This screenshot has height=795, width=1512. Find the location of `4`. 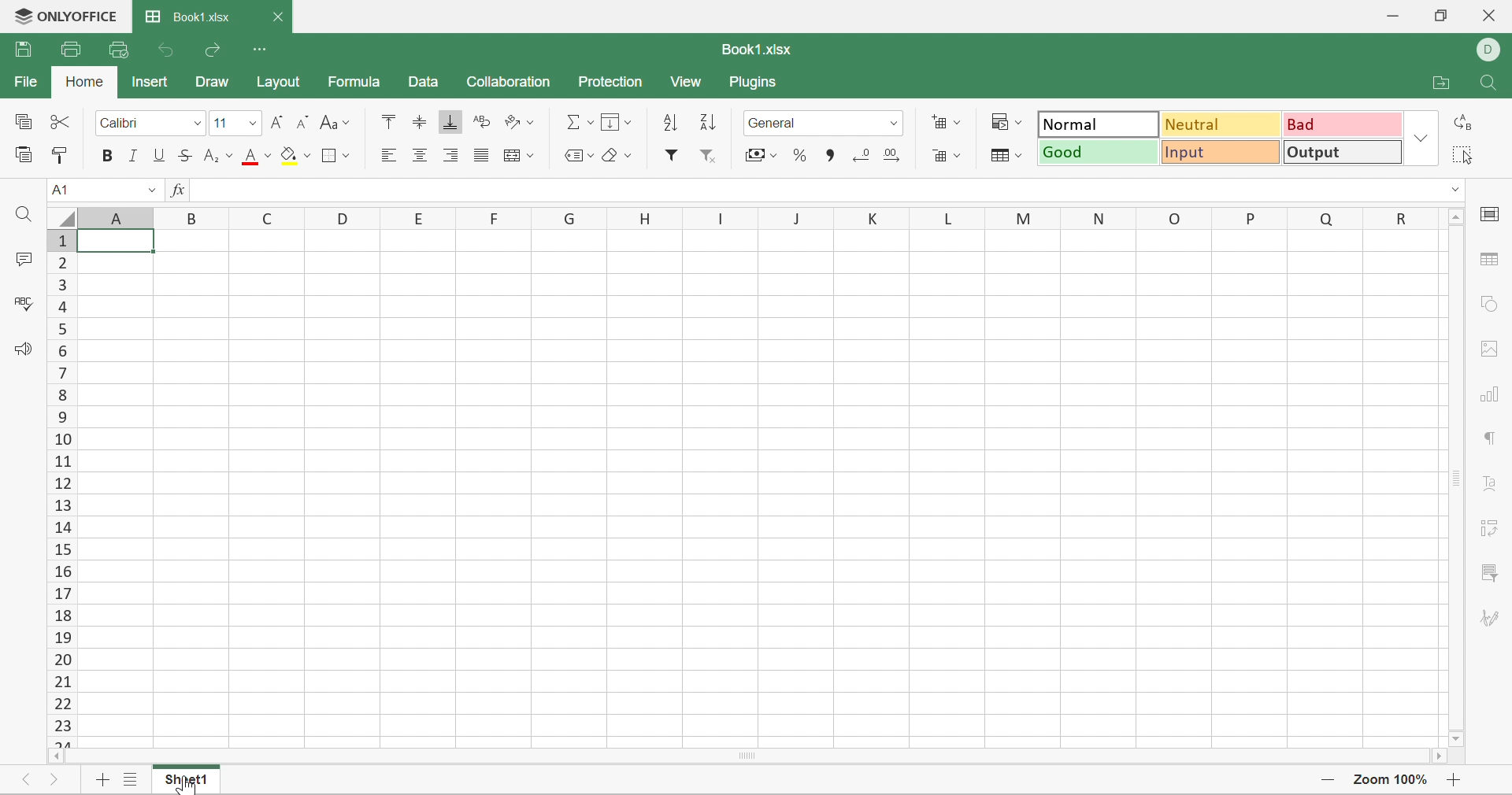

4 is located at coordinates (63, 306).